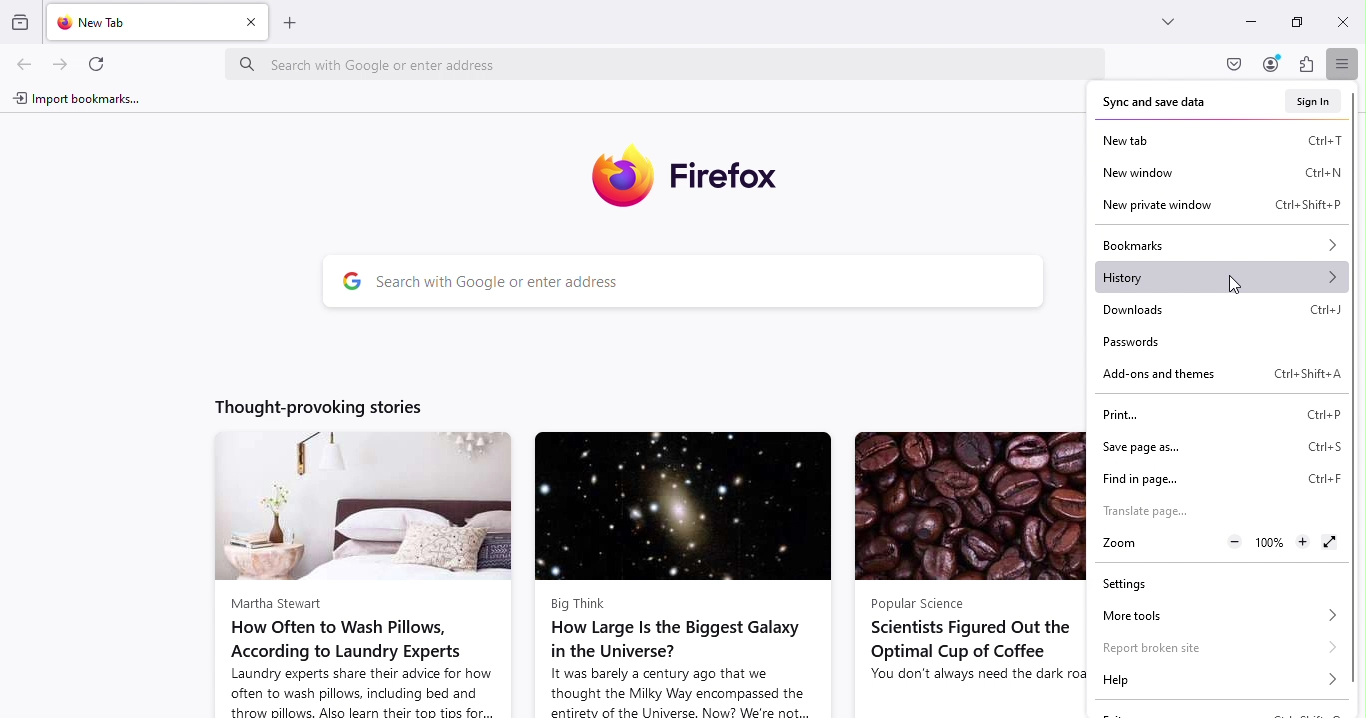  What do you see at coordinates (964, 574) in the screenshot?
I see `news article from popular science` at bounding box center [964, 574].